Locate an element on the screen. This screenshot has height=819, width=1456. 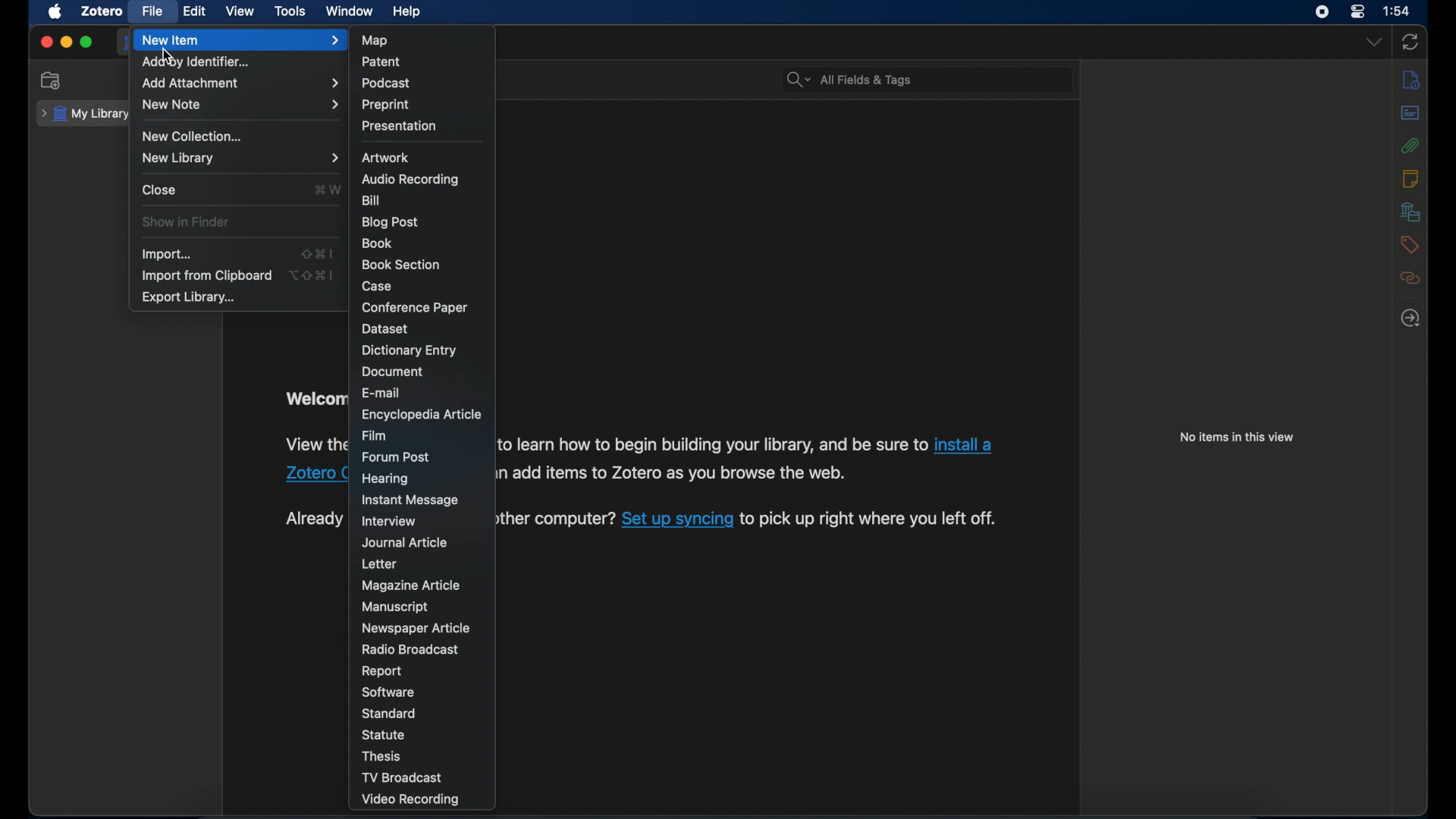
patent is located at coordinates (381, 61).